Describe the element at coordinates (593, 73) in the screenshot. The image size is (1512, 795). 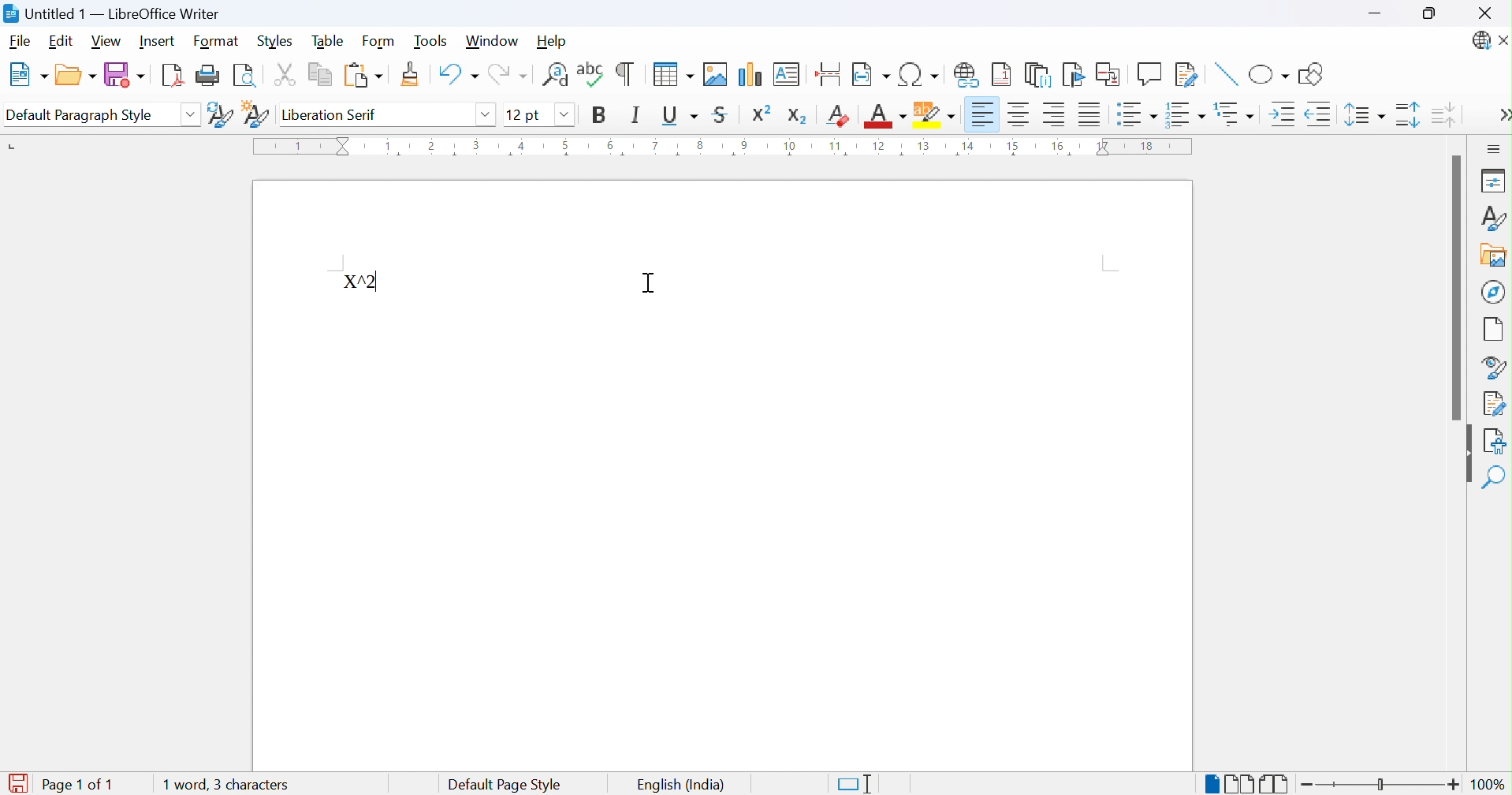
I see `Check spelling` at that location.